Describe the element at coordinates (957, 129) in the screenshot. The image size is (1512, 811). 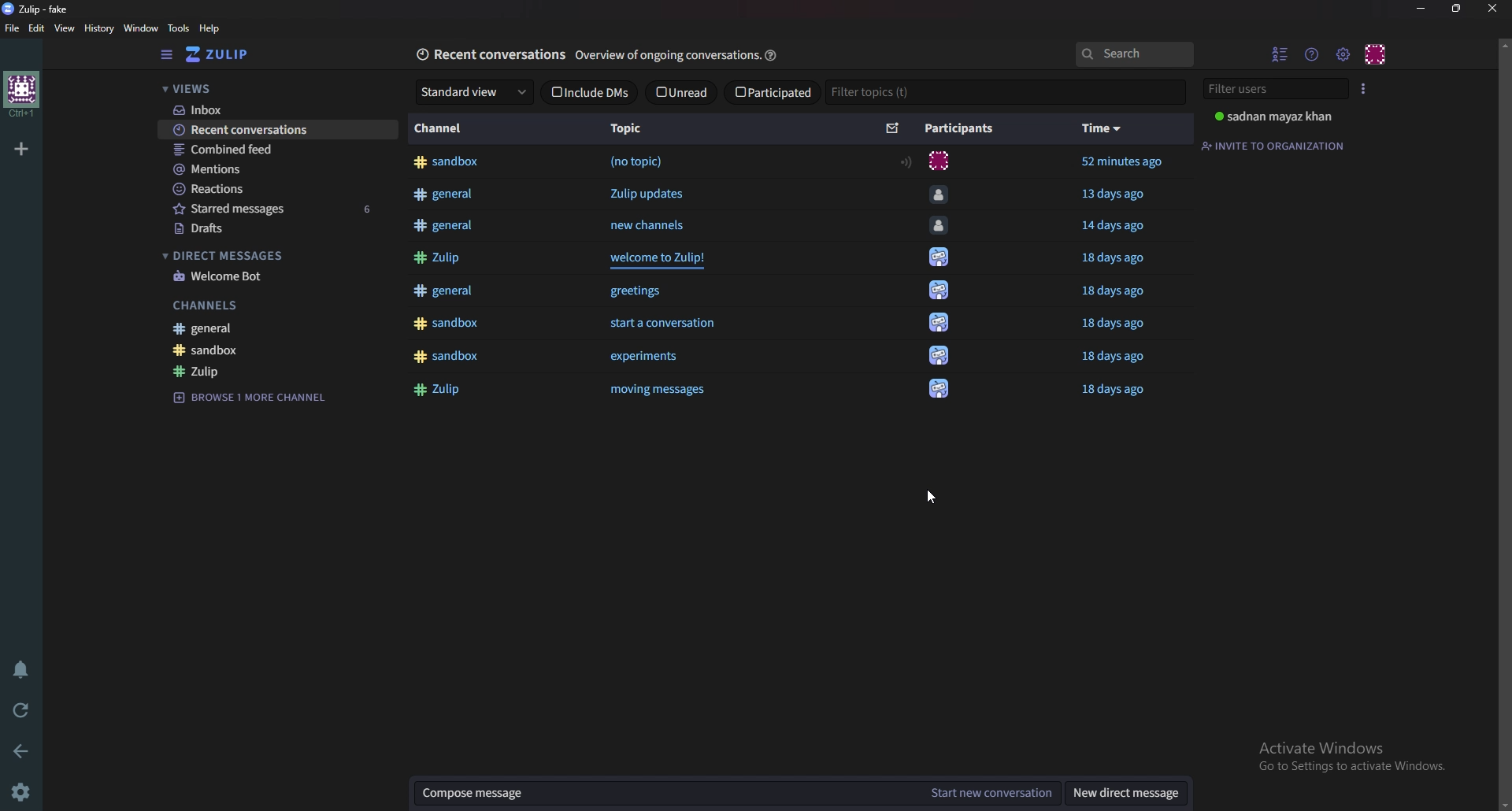
I see `Participants` at that location.